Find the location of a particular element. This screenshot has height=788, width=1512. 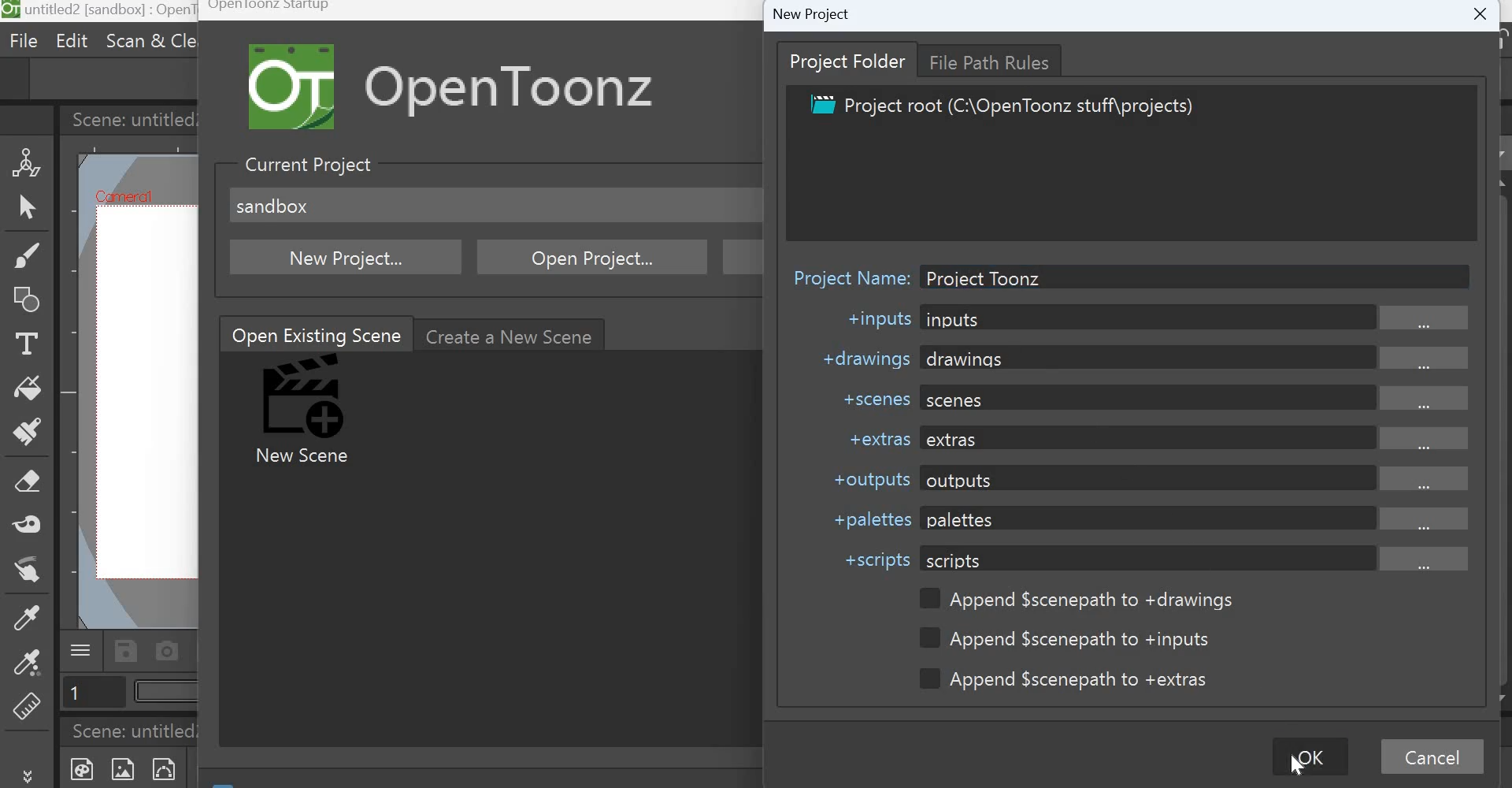

OK is located at coordinates (1308, 756).